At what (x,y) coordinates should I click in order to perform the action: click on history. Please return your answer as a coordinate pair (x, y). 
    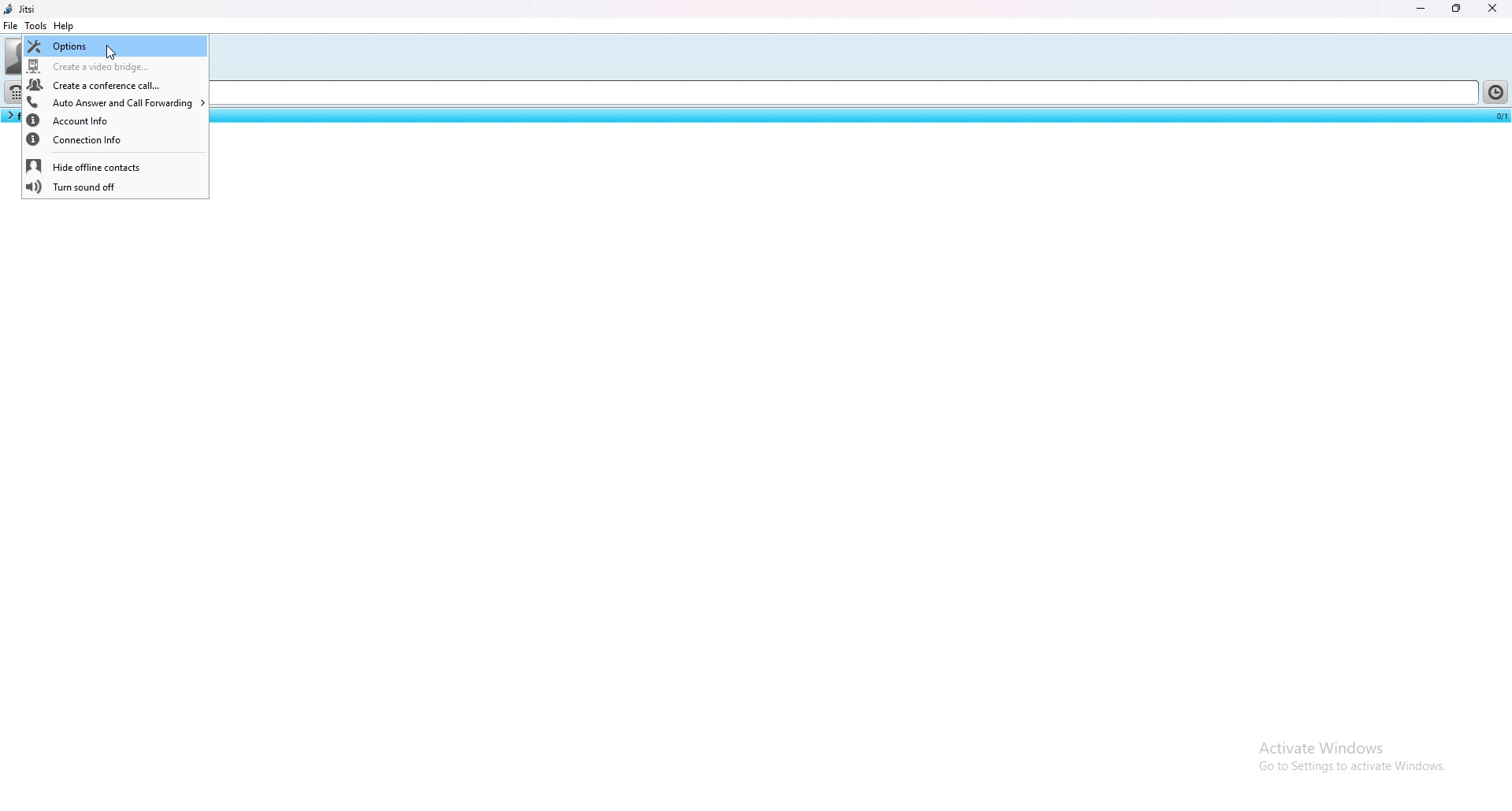
    Looking at the image, I should click on (1497, 92).